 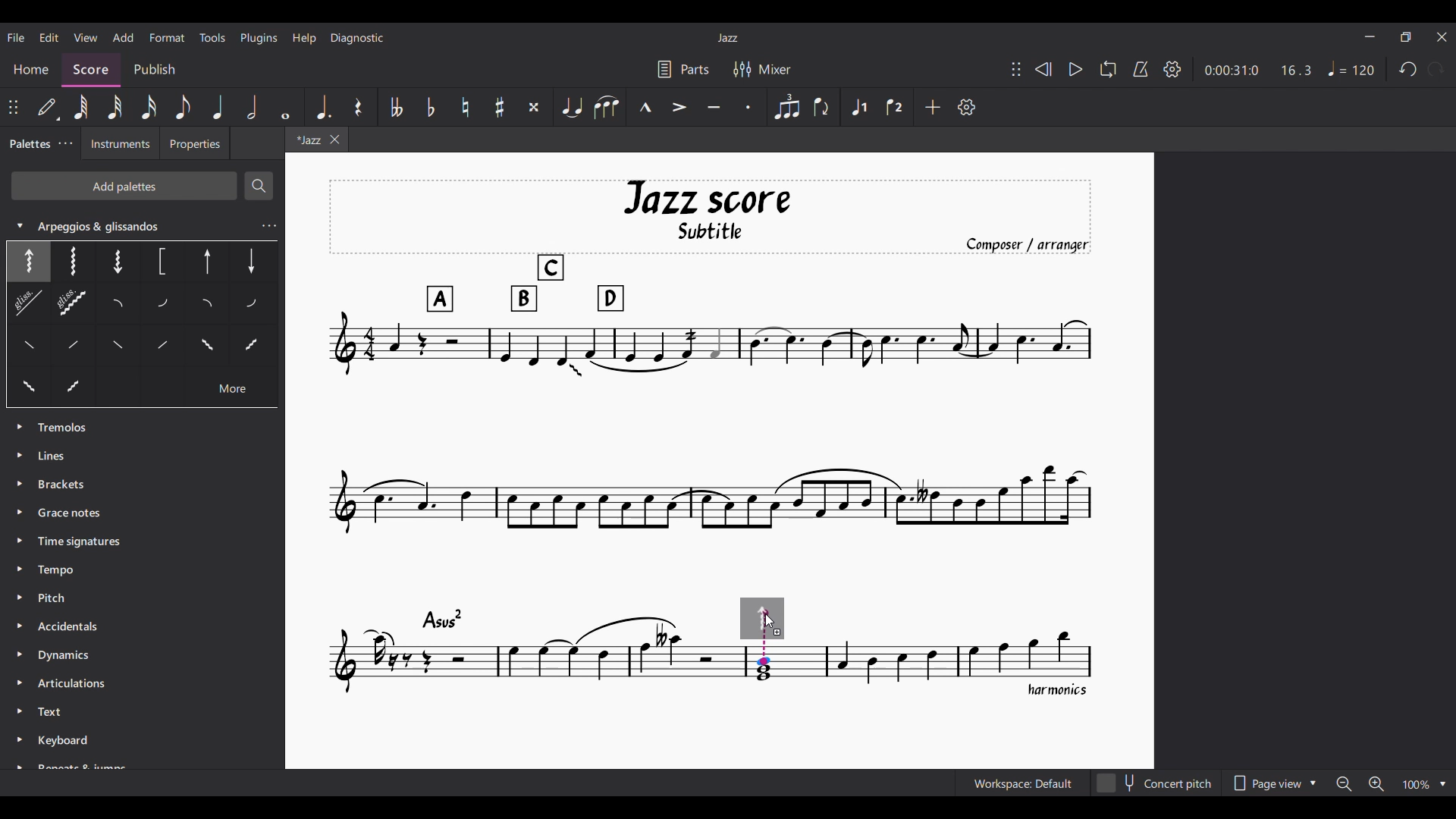 What do you see at coordinates (27, 388) in the screenshot?
I see `` at bounding box center [27, 388].